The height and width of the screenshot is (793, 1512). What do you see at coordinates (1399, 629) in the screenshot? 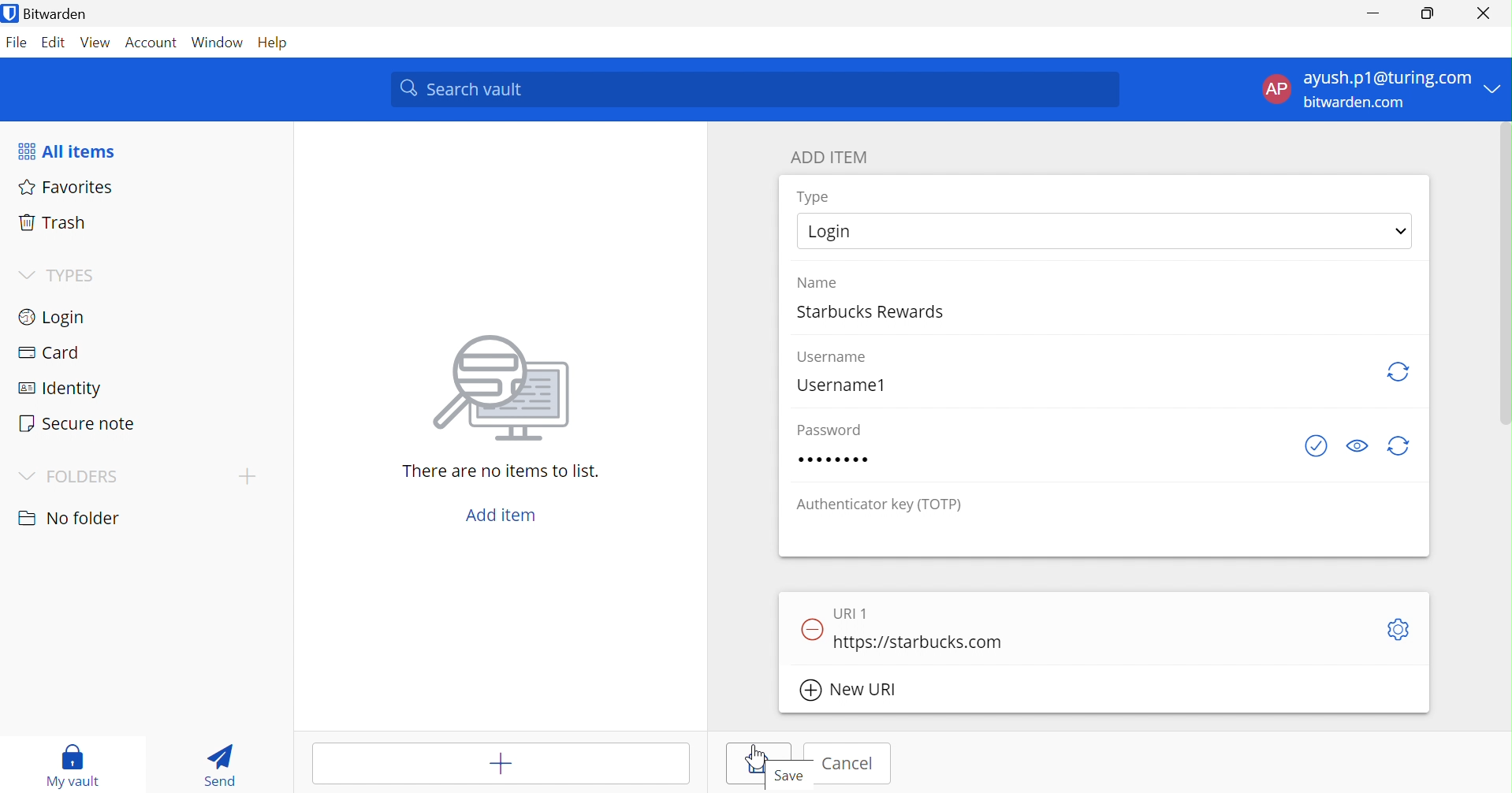
I see `Settings` at bounding box center [1399, 629].